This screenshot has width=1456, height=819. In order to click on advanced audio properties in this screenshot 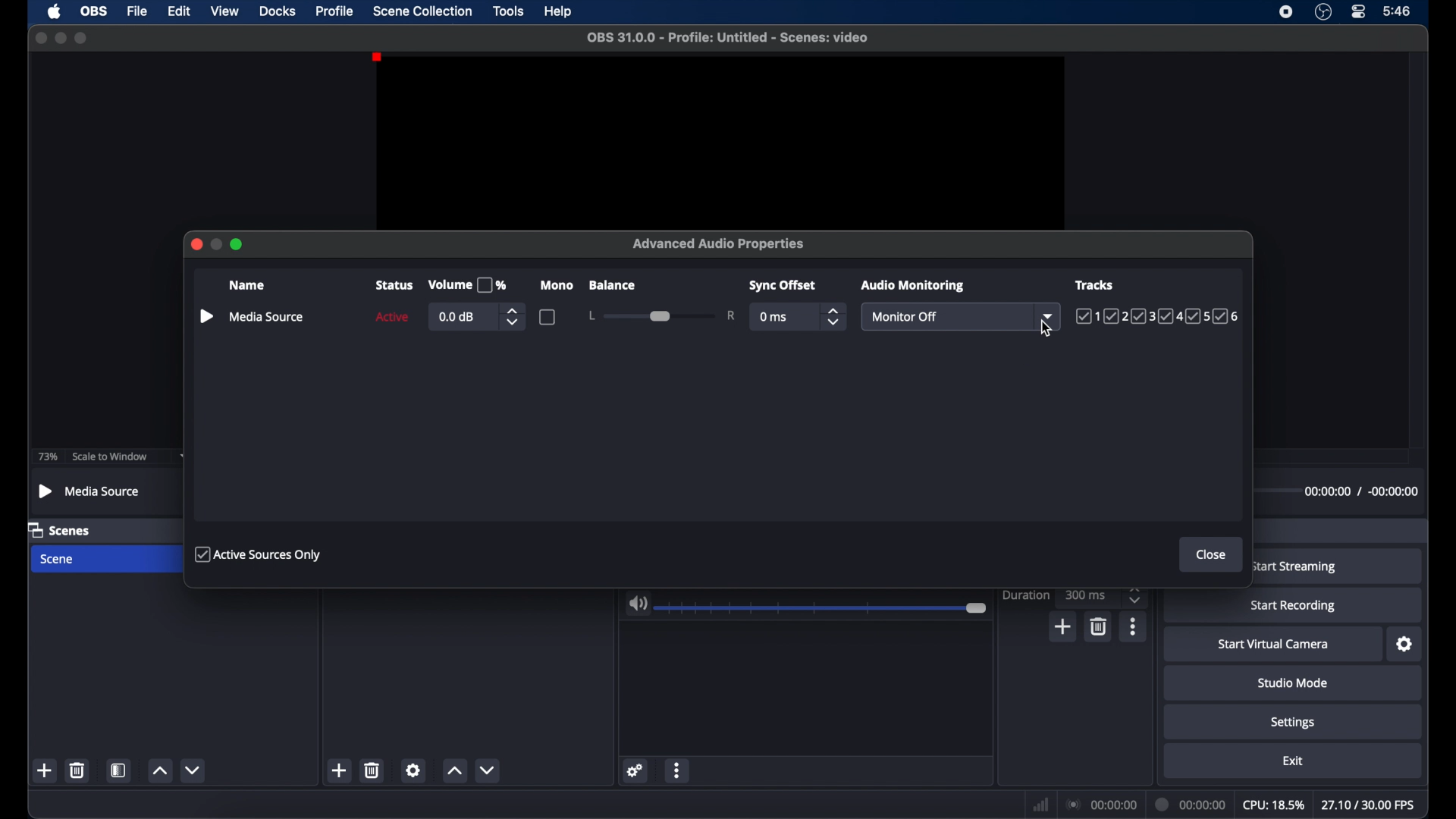, I will do `click(719, 244)`.